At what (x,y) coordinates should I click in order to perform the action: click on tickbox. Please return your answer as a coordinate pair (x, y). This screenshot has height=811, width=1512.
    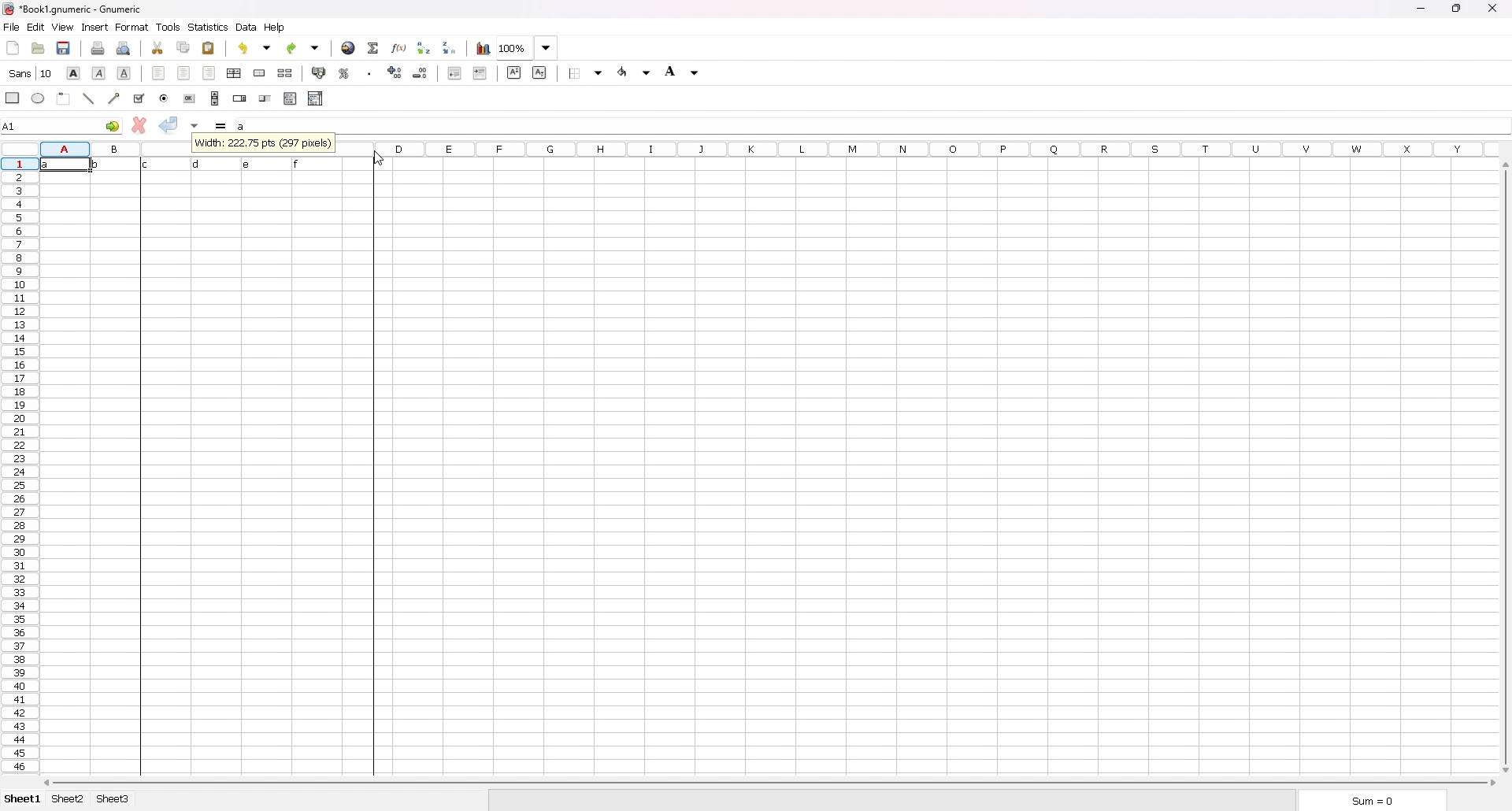
    Looking at the image, I should click on (139, 98).